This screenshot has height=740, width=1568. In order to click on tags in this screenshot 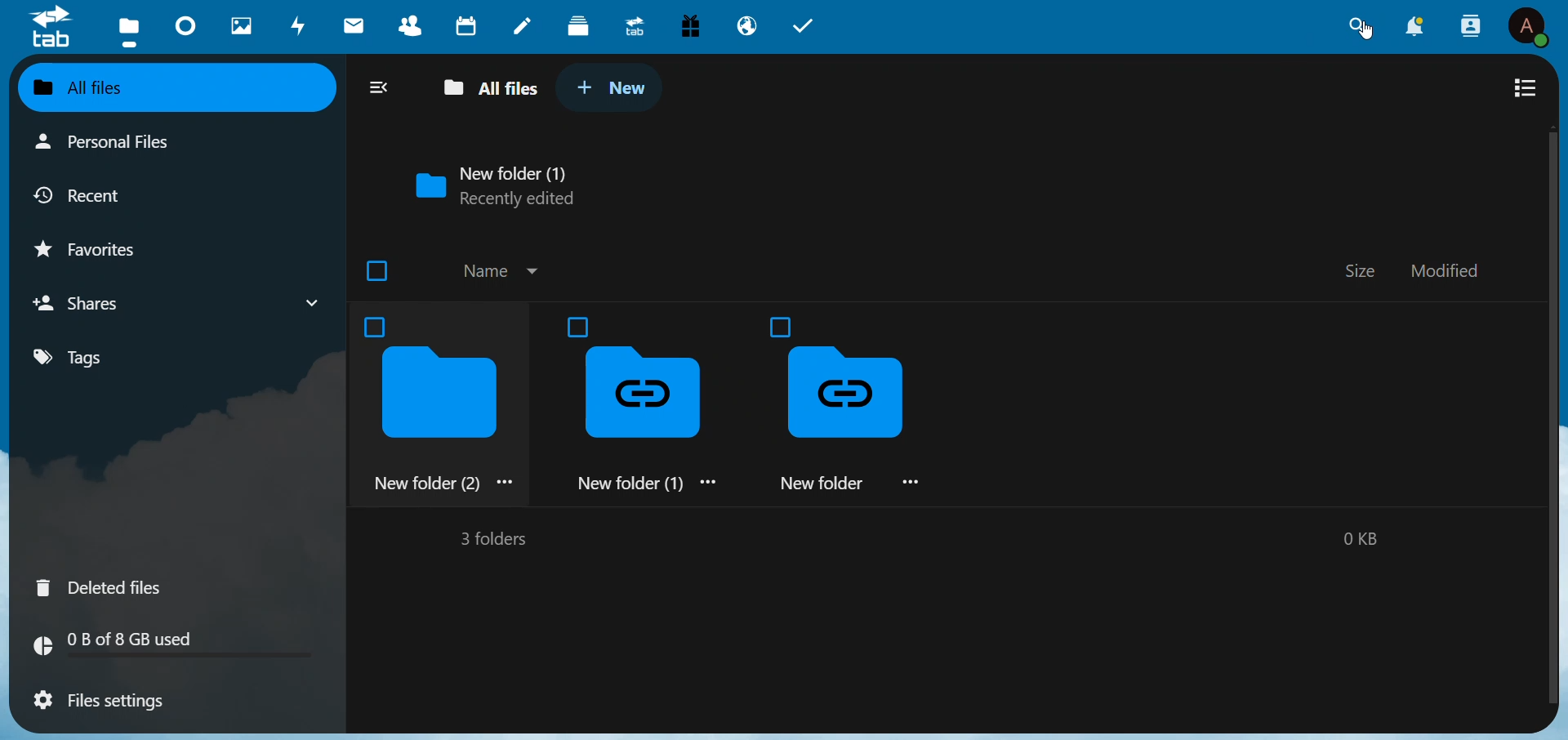, I will do `click(82, 357)`.